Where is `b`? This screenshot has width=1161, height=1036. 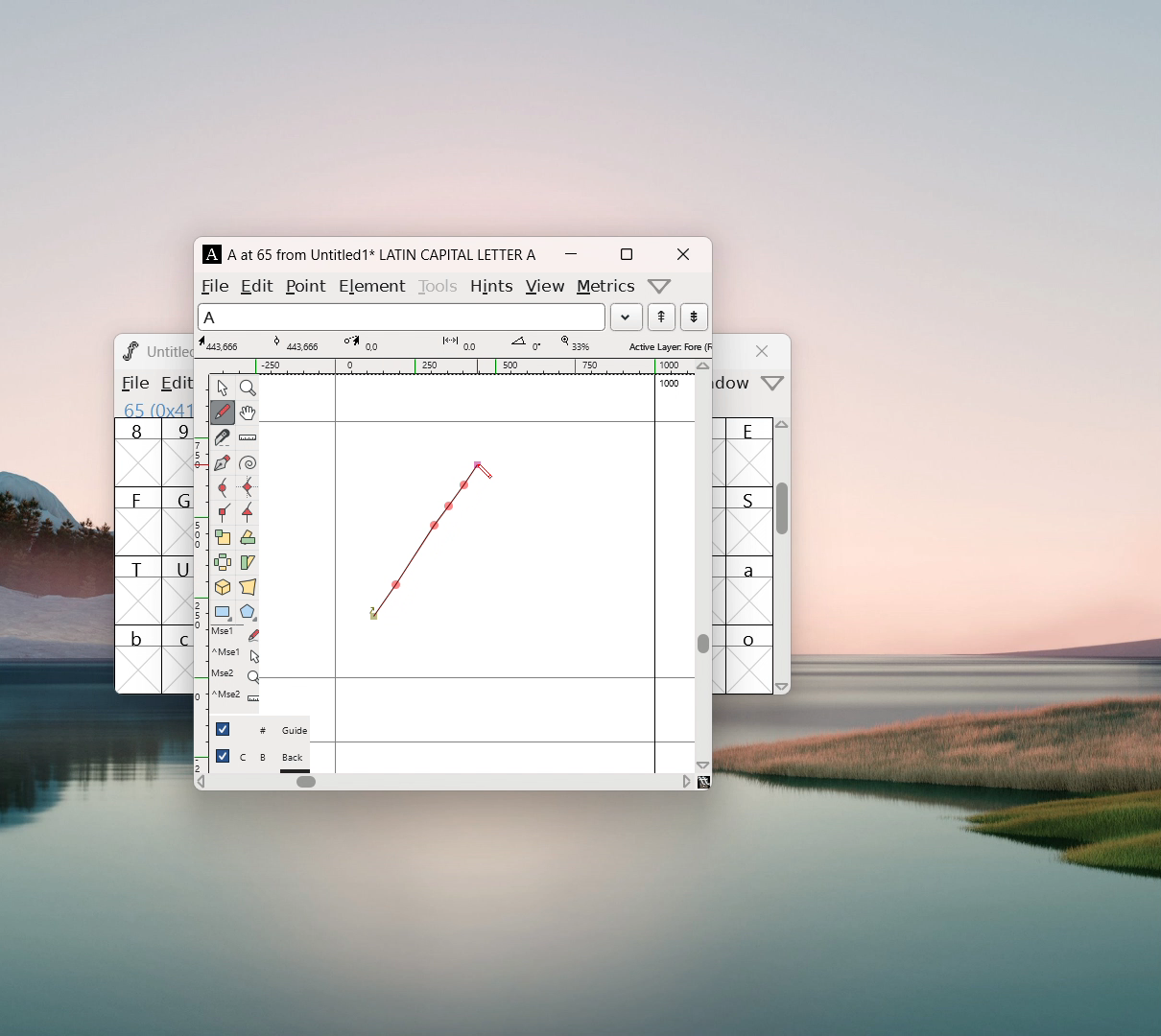 b is located at coordinates (138, 659).